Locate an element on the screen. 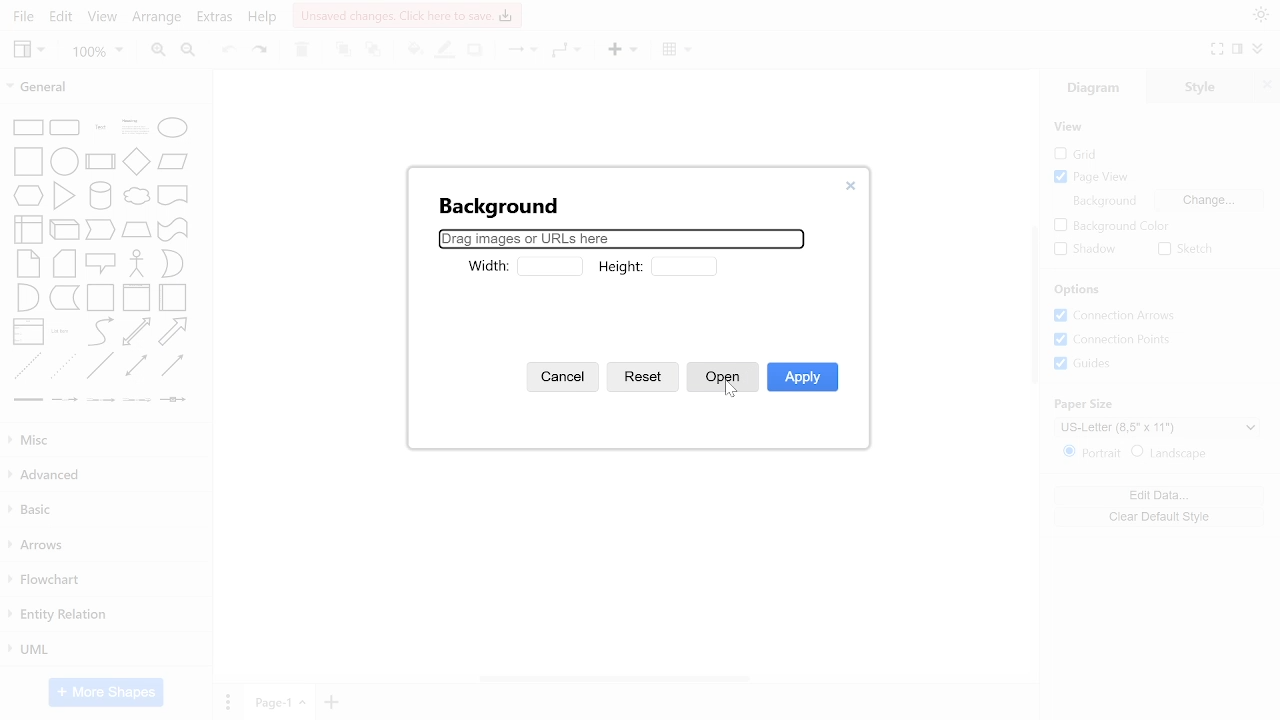 This screenshot has height=720, width=1280. general shapes is located at coordinates (64, 194).